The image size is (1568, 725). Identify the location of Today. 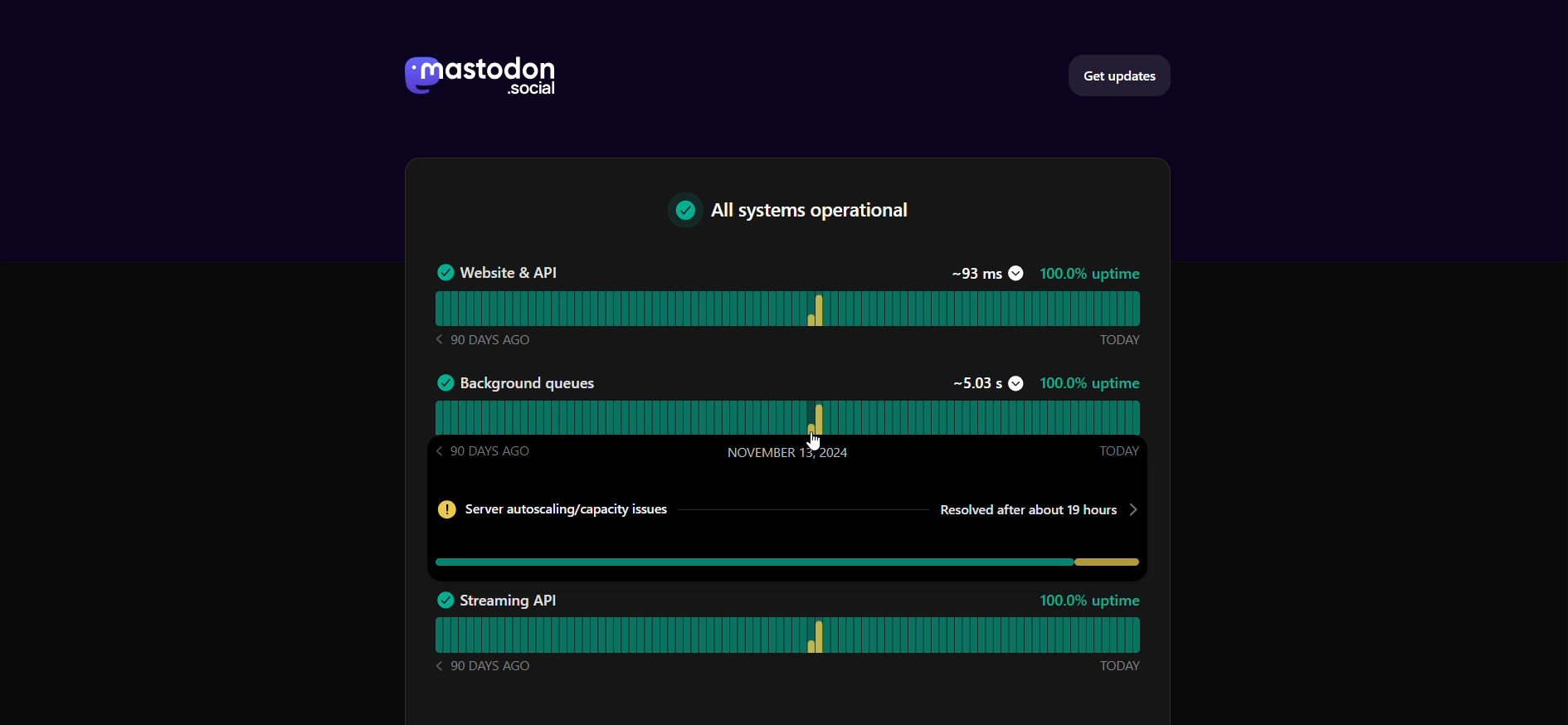
(1119, 666).